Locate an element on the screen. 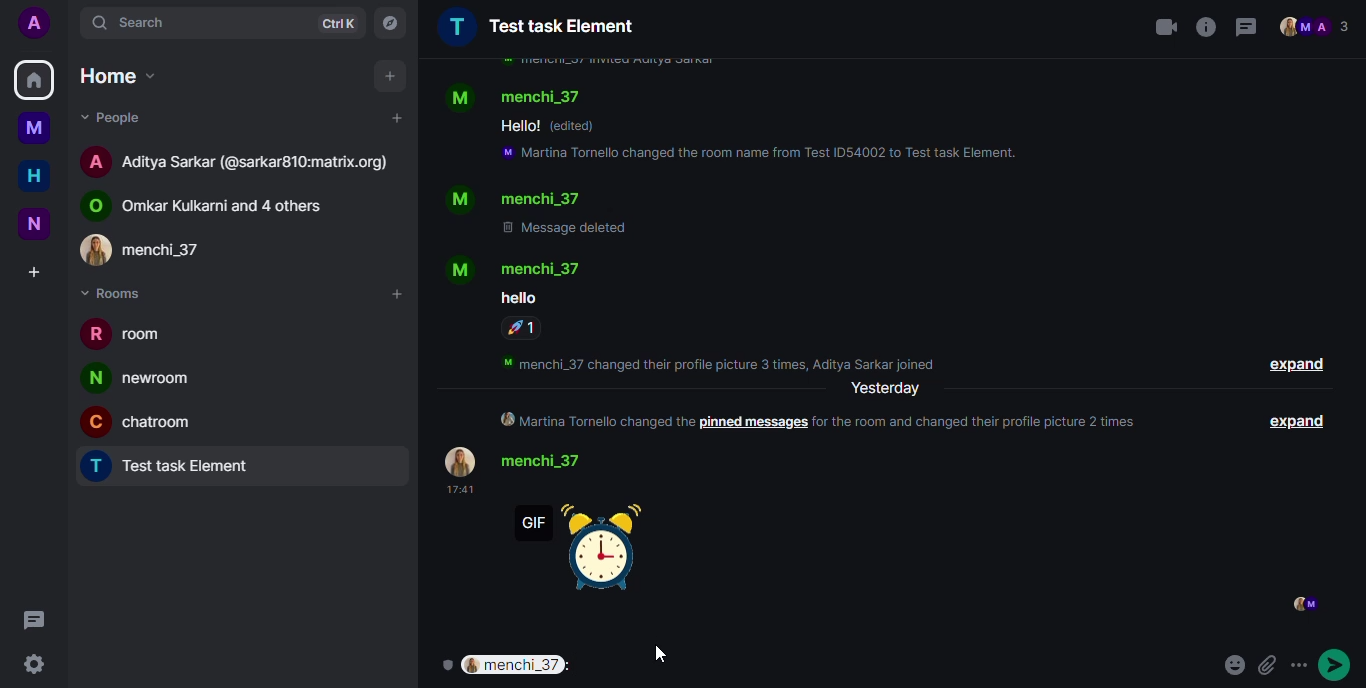  room is located at coordinates (143, 378).